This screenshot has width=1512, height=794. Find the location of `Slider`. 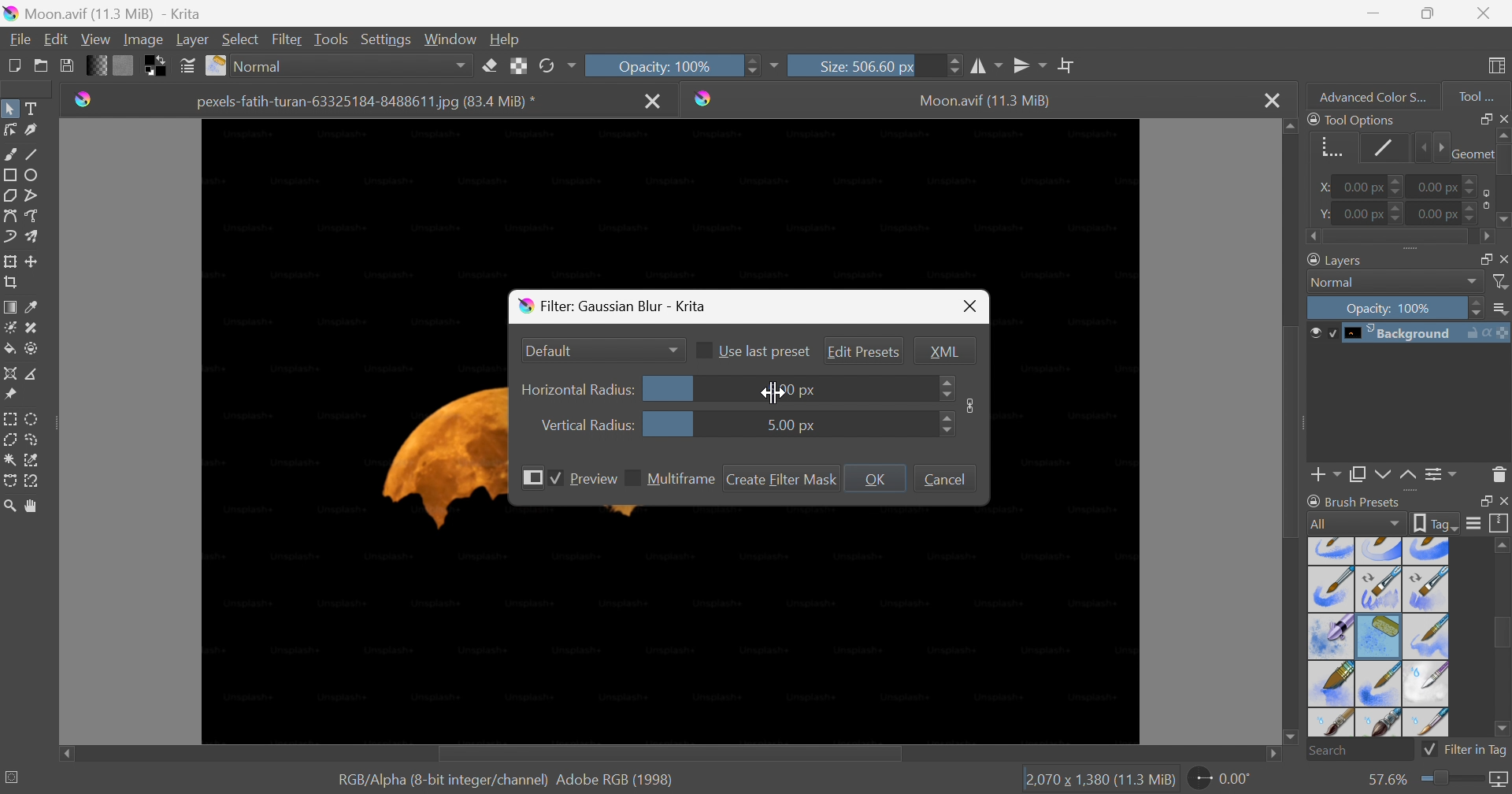

Slider is located at coordinates (944, 425).